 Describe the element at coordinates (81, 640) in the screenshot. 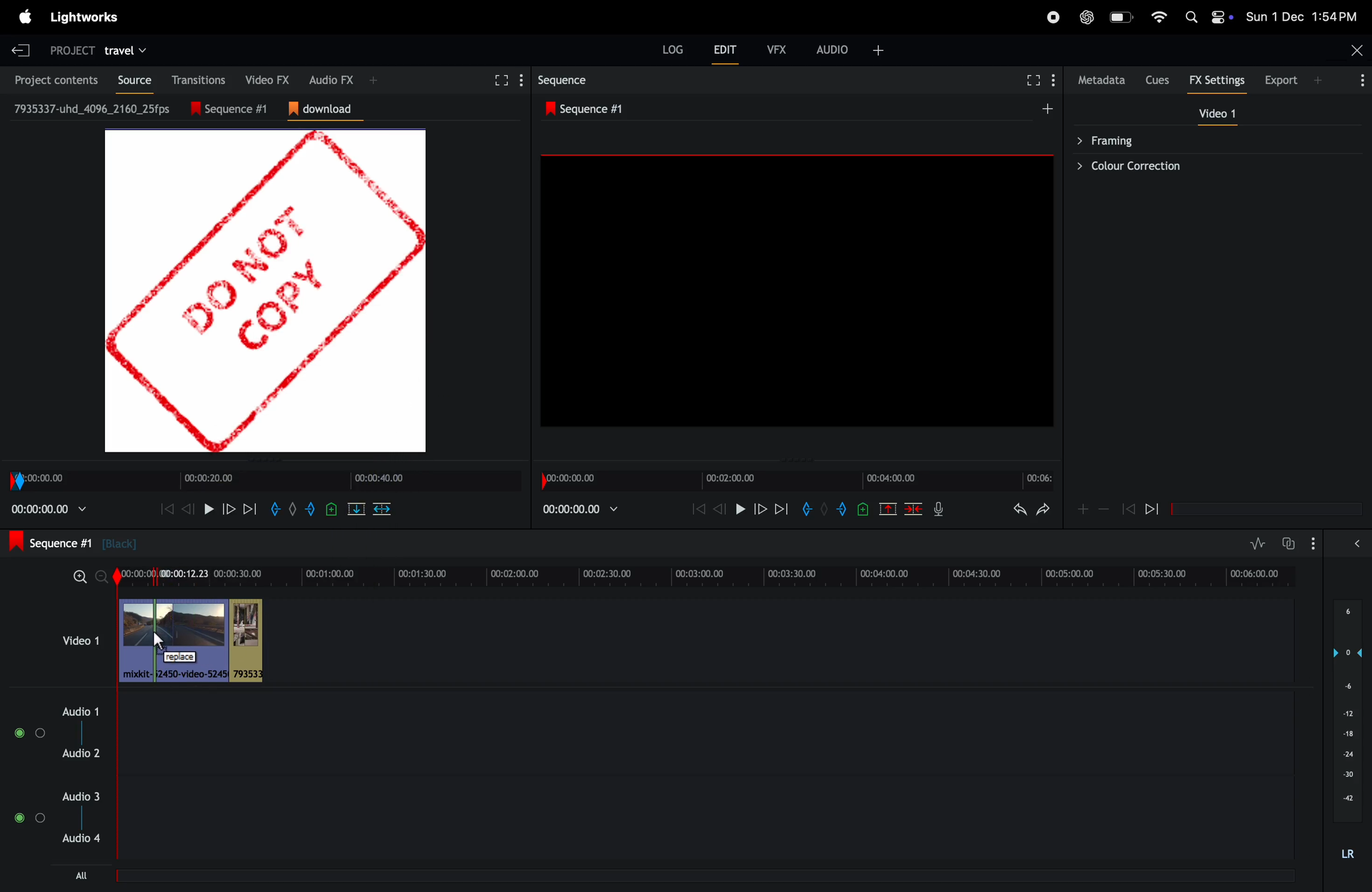

I see `video 1` at that location.